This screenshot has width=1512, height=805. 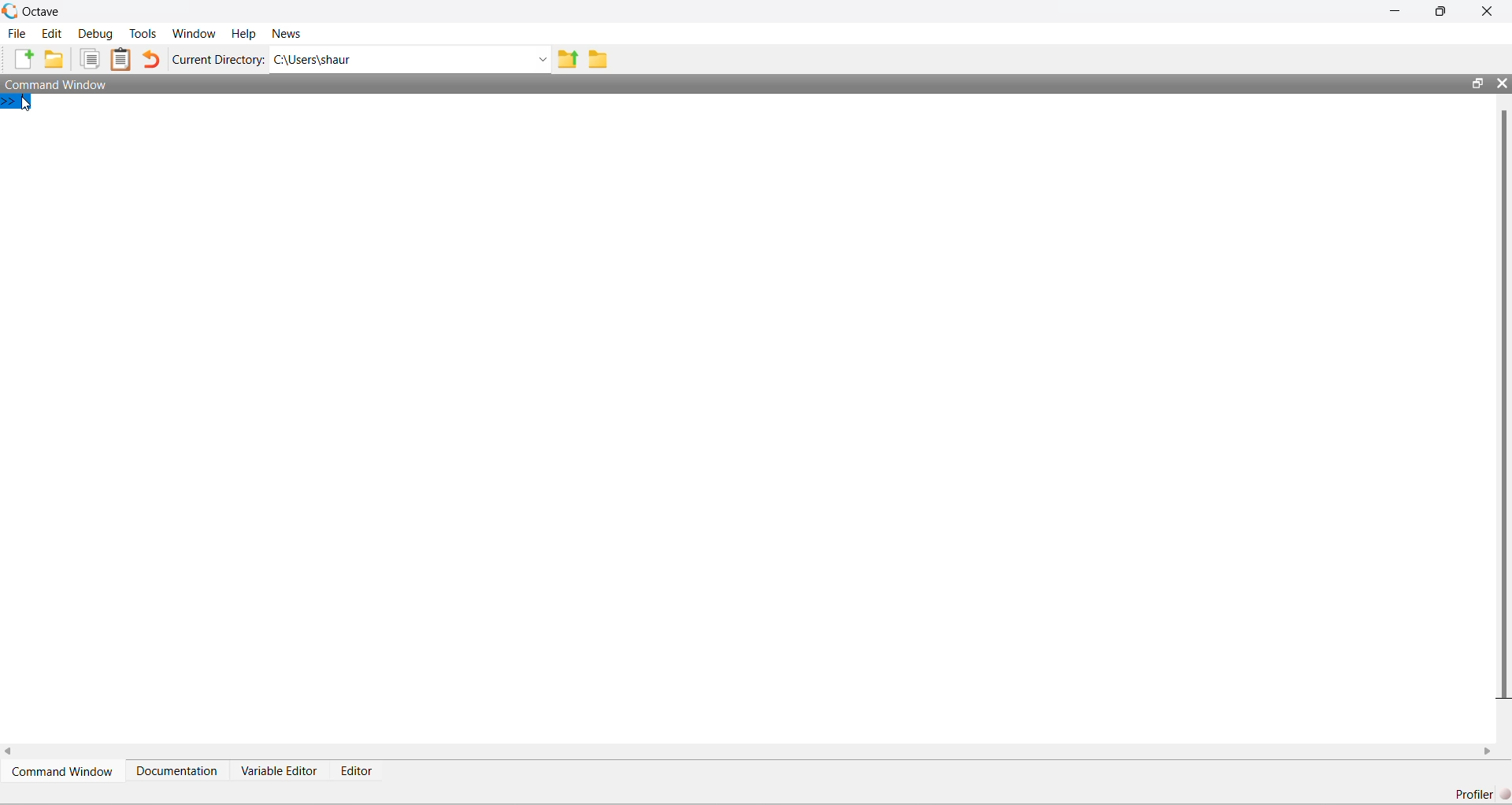 I want to click on maximize, so click(x=1477, y=83).